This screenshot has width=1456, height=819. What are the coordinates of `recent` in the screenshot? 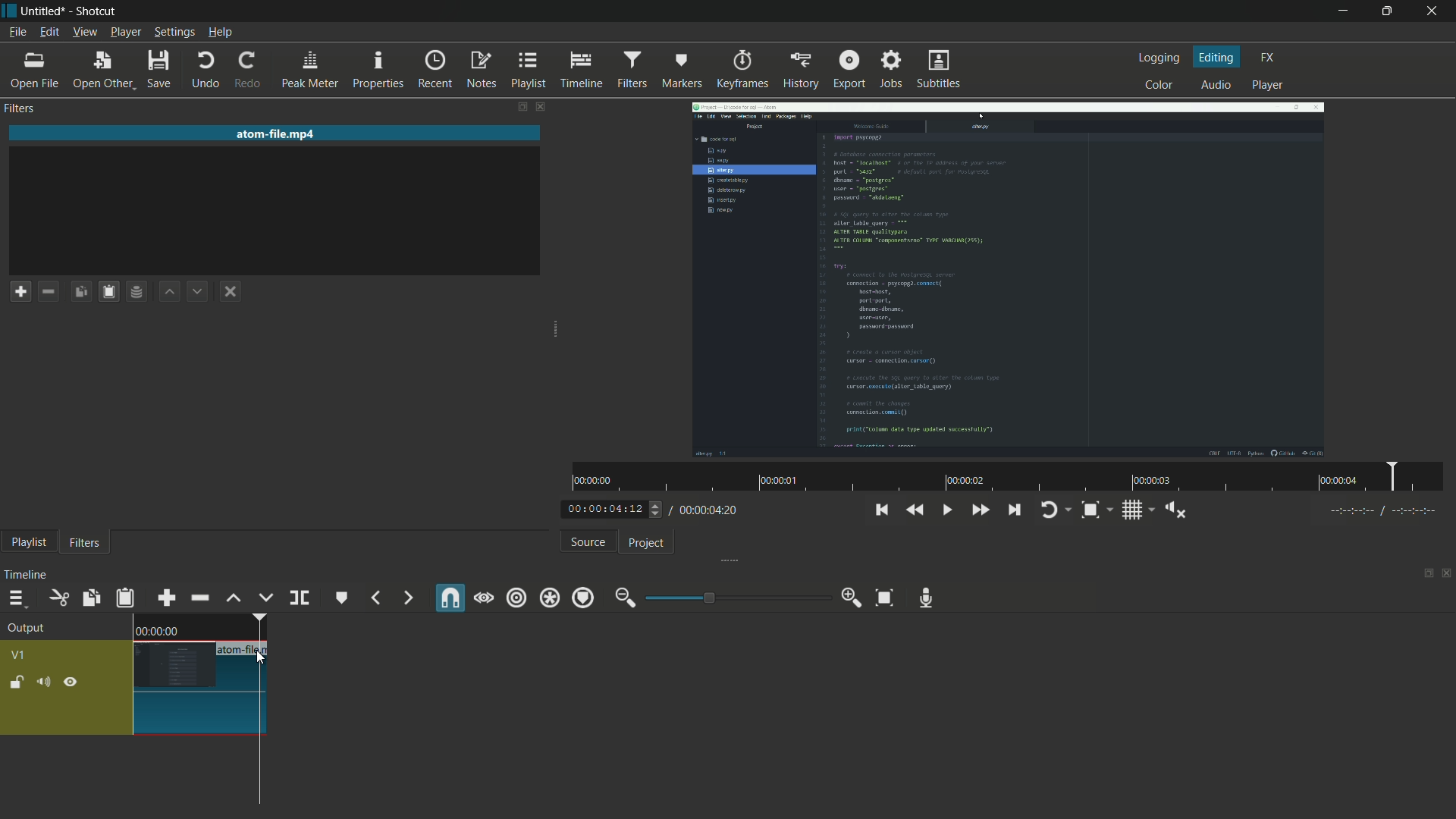 It's located at (434, 69).